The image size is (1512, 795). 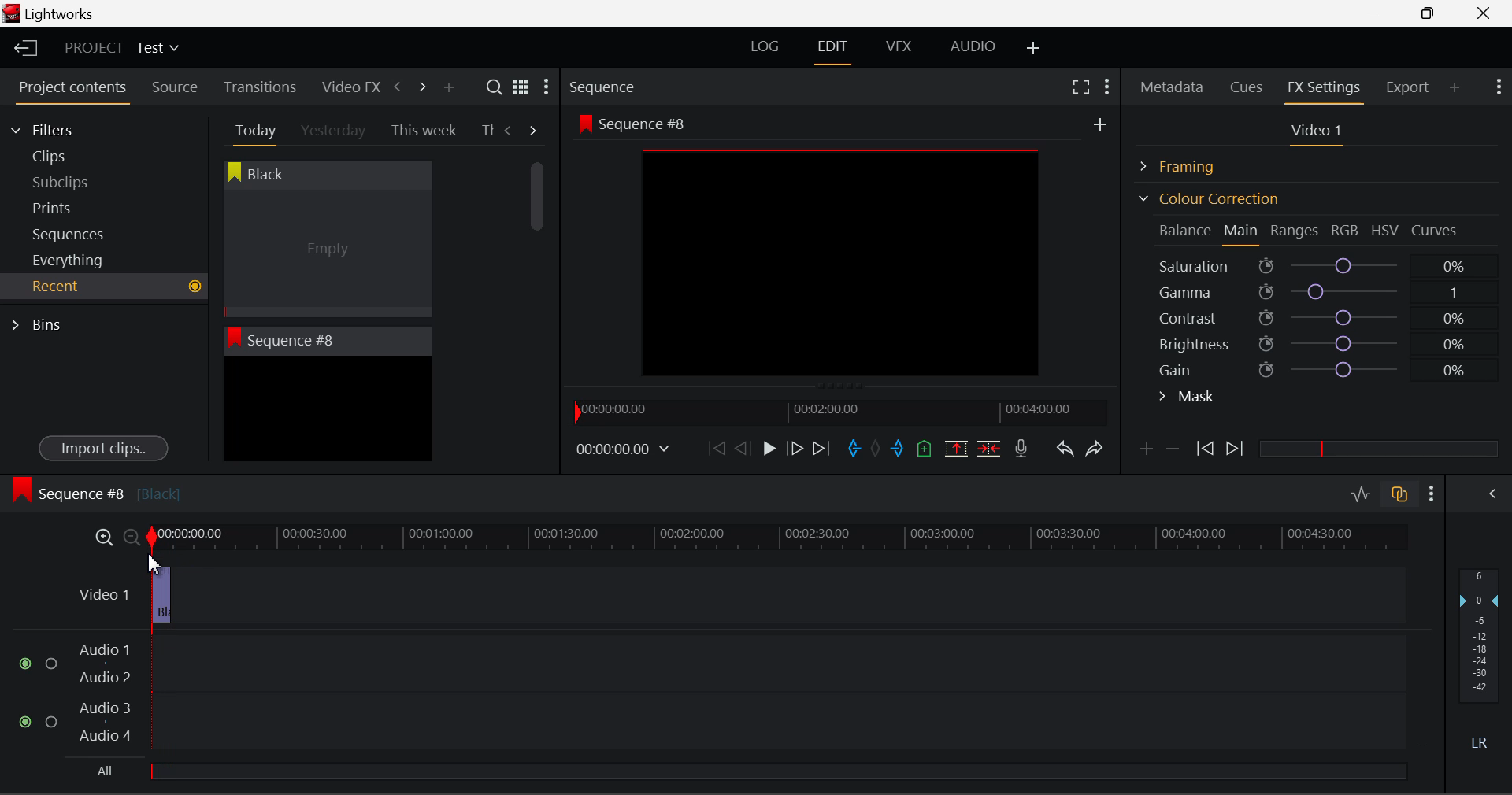 What do you see at coordinates (777, 771) in the screenshot?
I see `slider` at bounding box center [777, 771].